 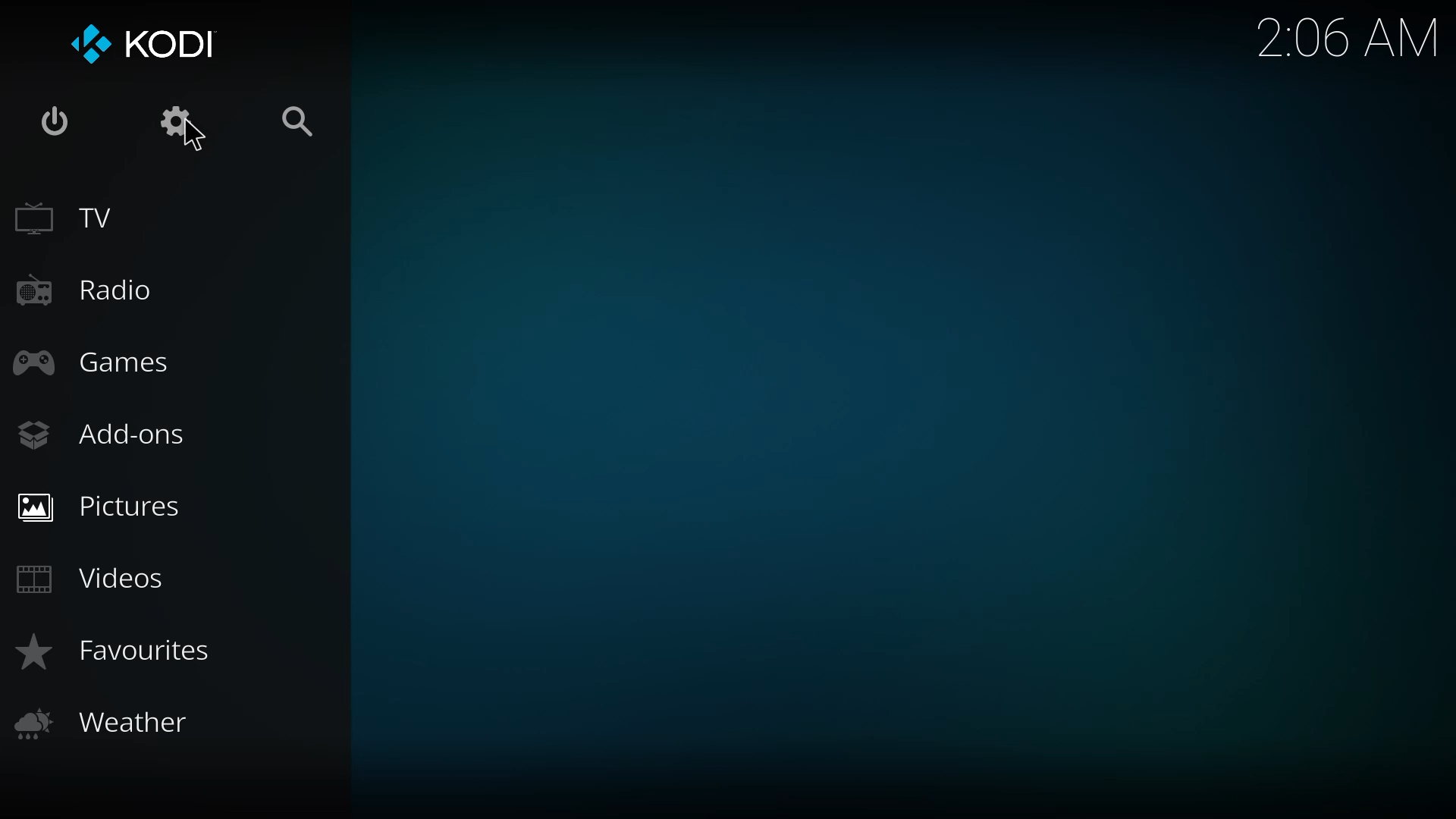 What do you see at coordinates (98, 579) in the screenshot?
I see `videos` at bounding box center [98, 579].